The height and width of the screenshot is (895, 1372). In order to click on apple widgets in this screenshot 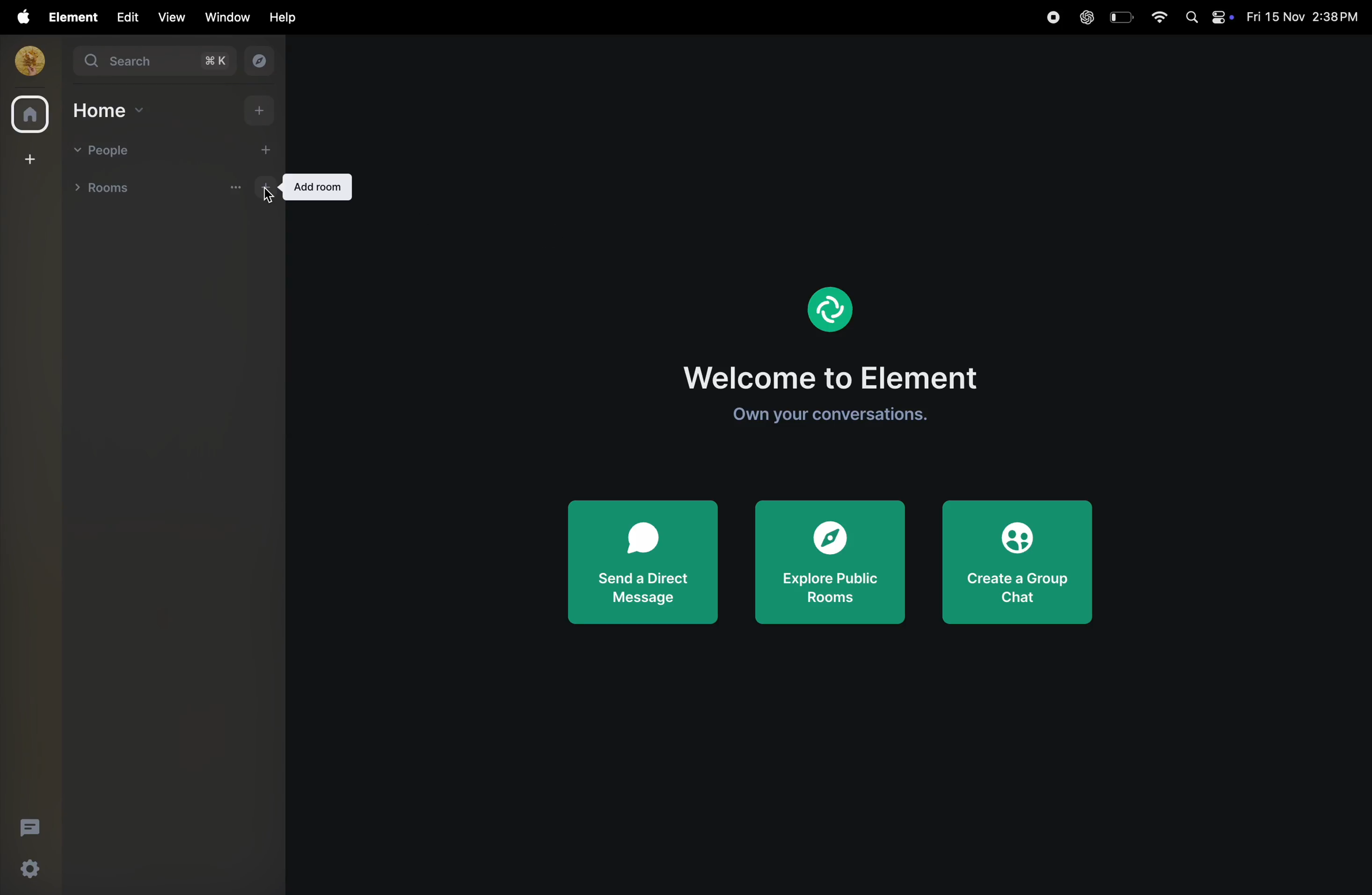, I will do `click(1208, 16)`.